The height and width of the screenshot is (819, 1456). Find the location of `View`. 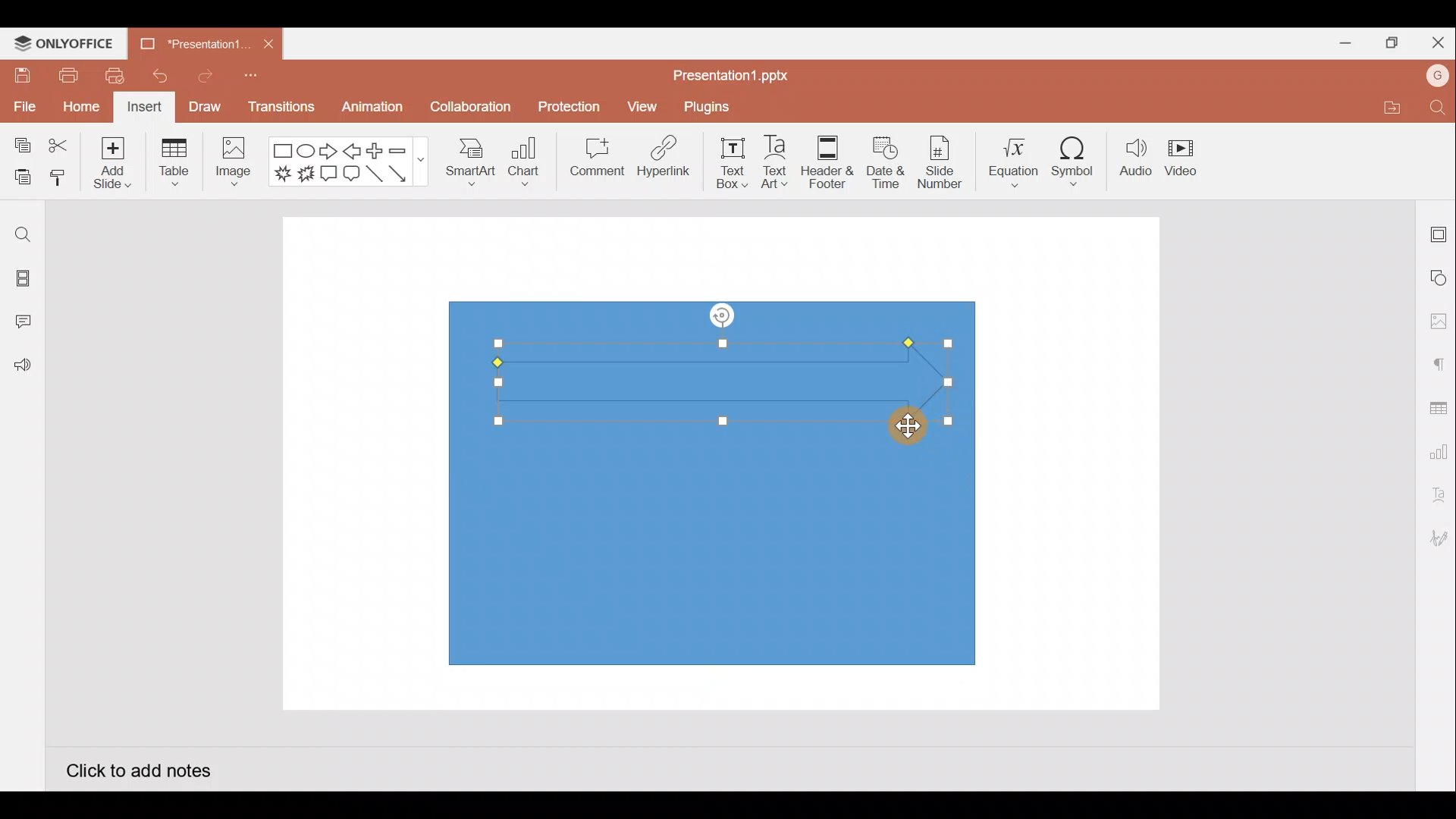

View is located at coordinates (645, 103).